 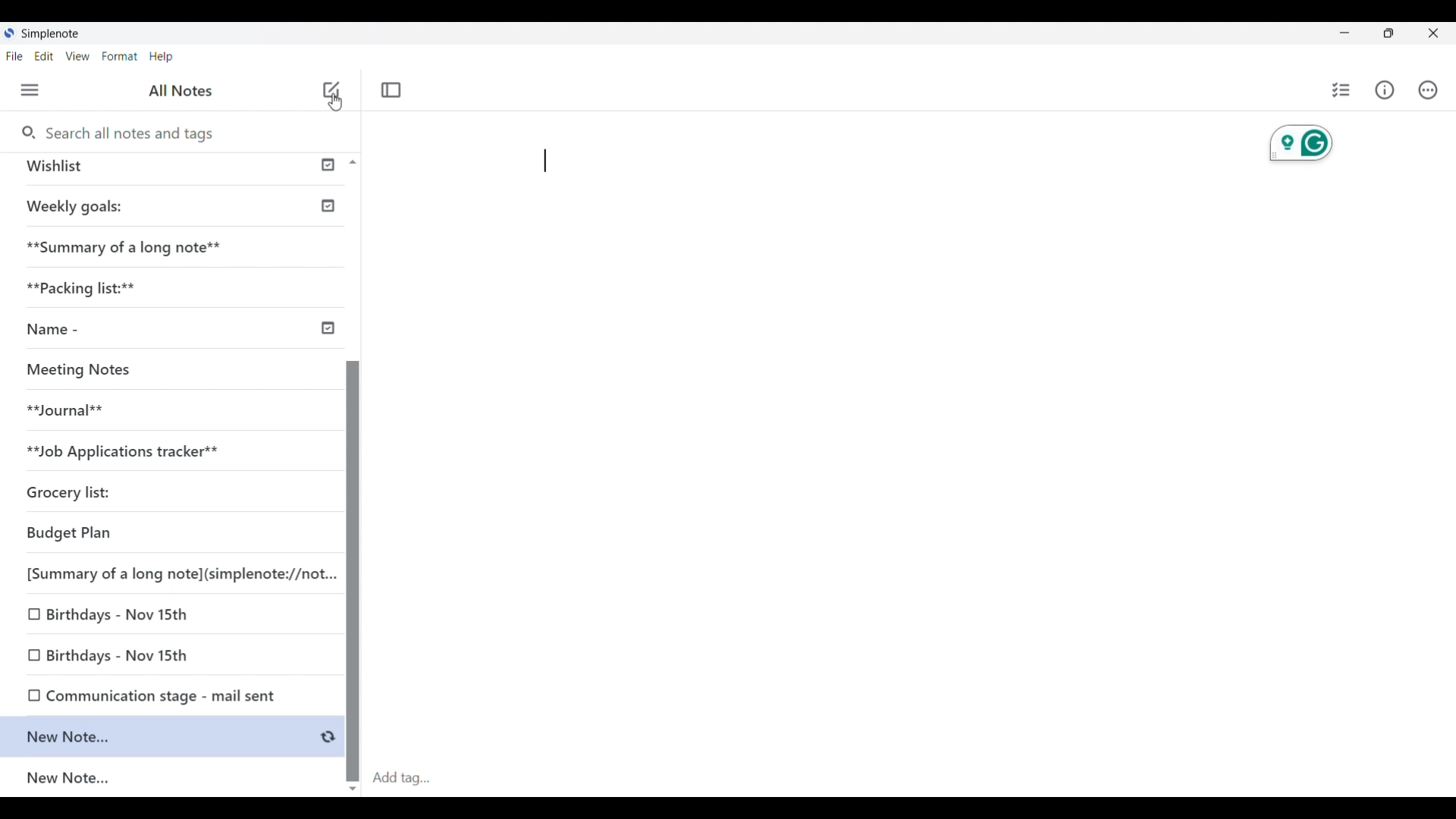 What do you see at coordinates (30, 89) in the screenshot?
I see `Menu` at bounding box center [30, 89].